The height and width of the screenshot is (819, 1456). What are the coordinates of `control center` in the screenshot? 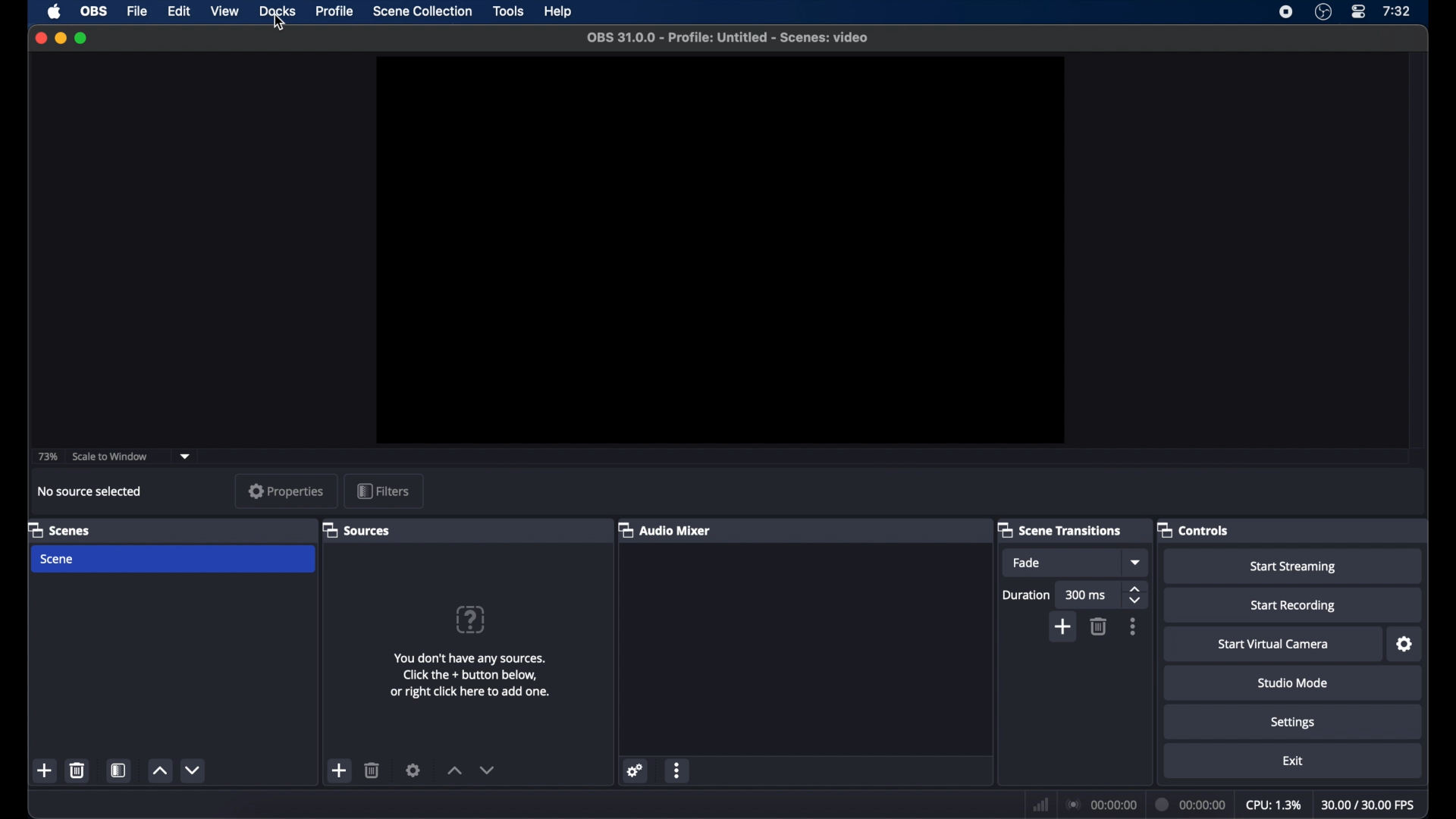 It's located at (1359, 12).